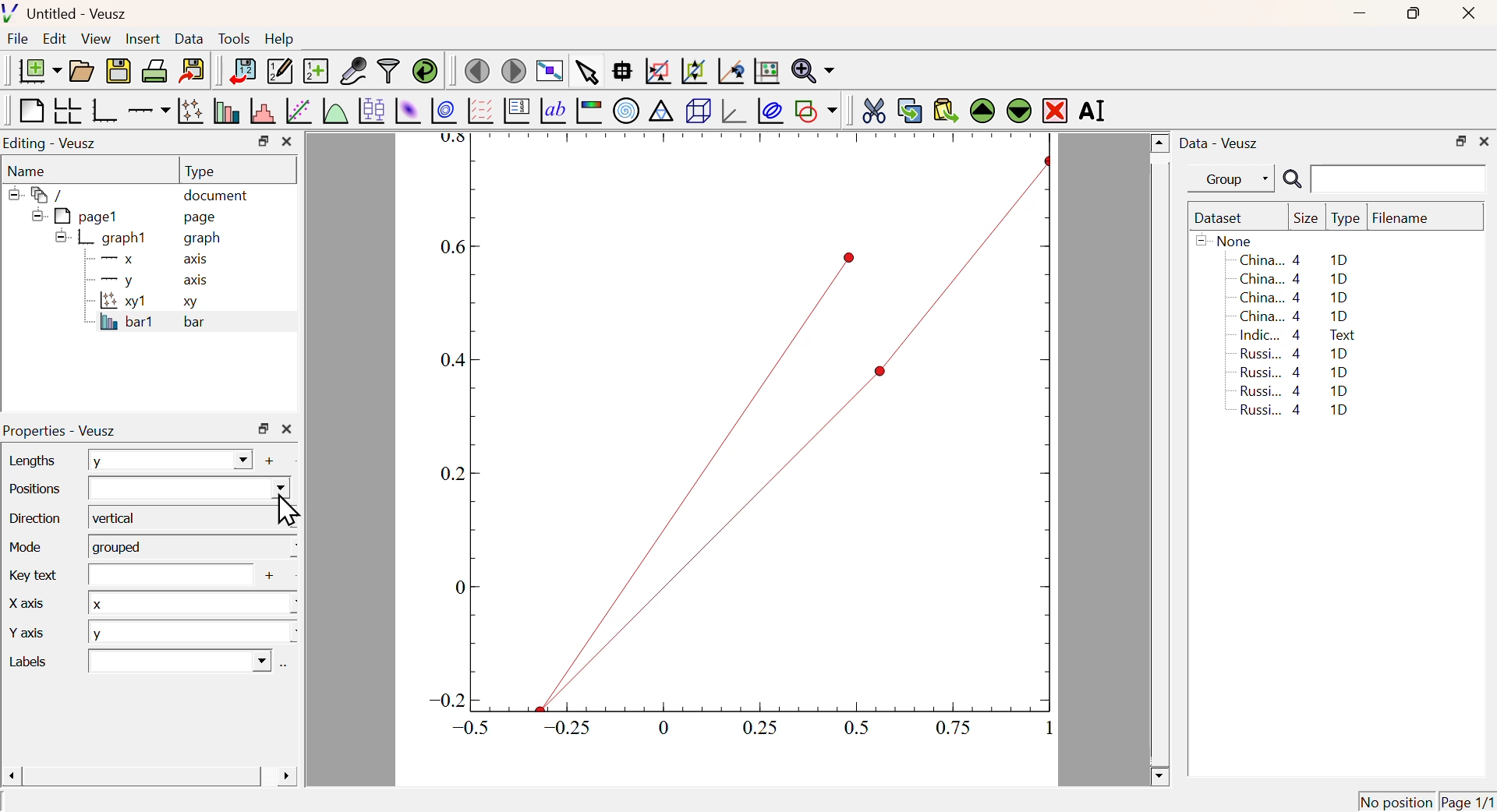  Describe the element at coordinates (735, 112) in the screenshot. I see `3D graph` at that location.